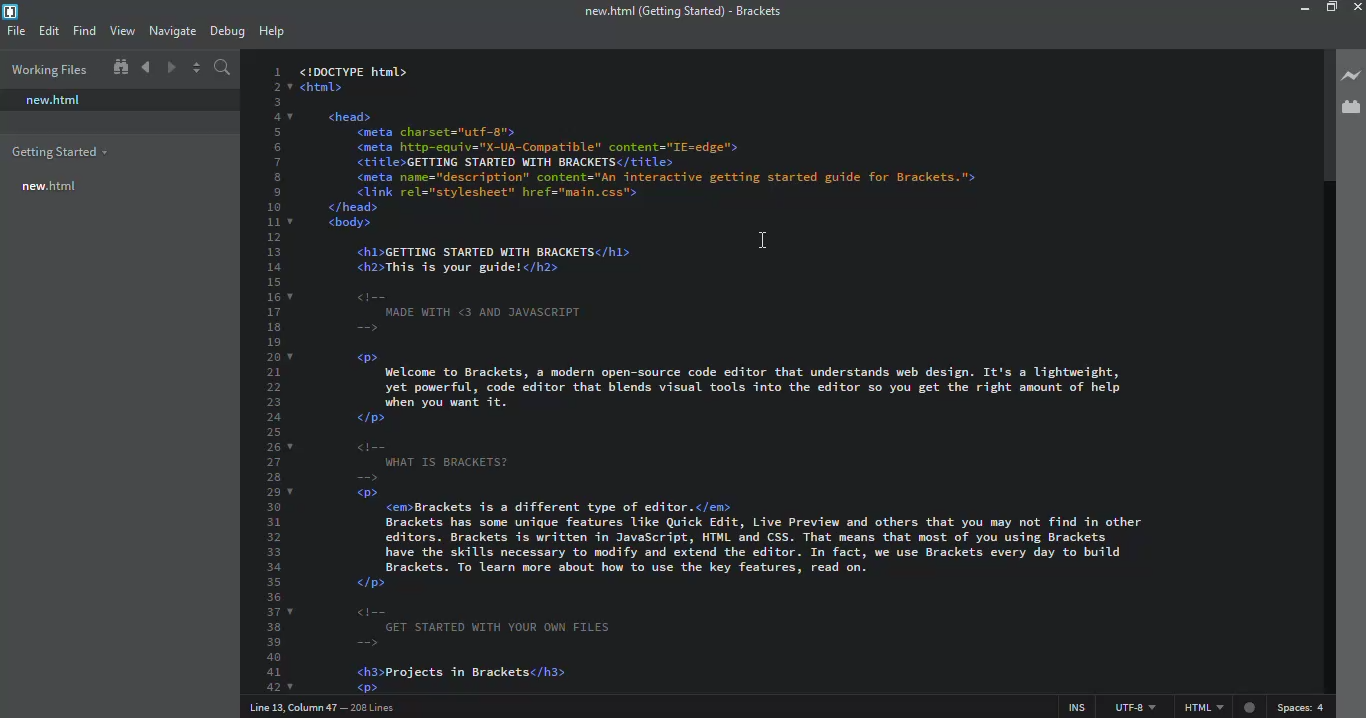 This screenshot has height=718, width=1366. What do you see at coordinates (50, 184) in the screenshot?
I see `new` at bounding box center [50, 184].